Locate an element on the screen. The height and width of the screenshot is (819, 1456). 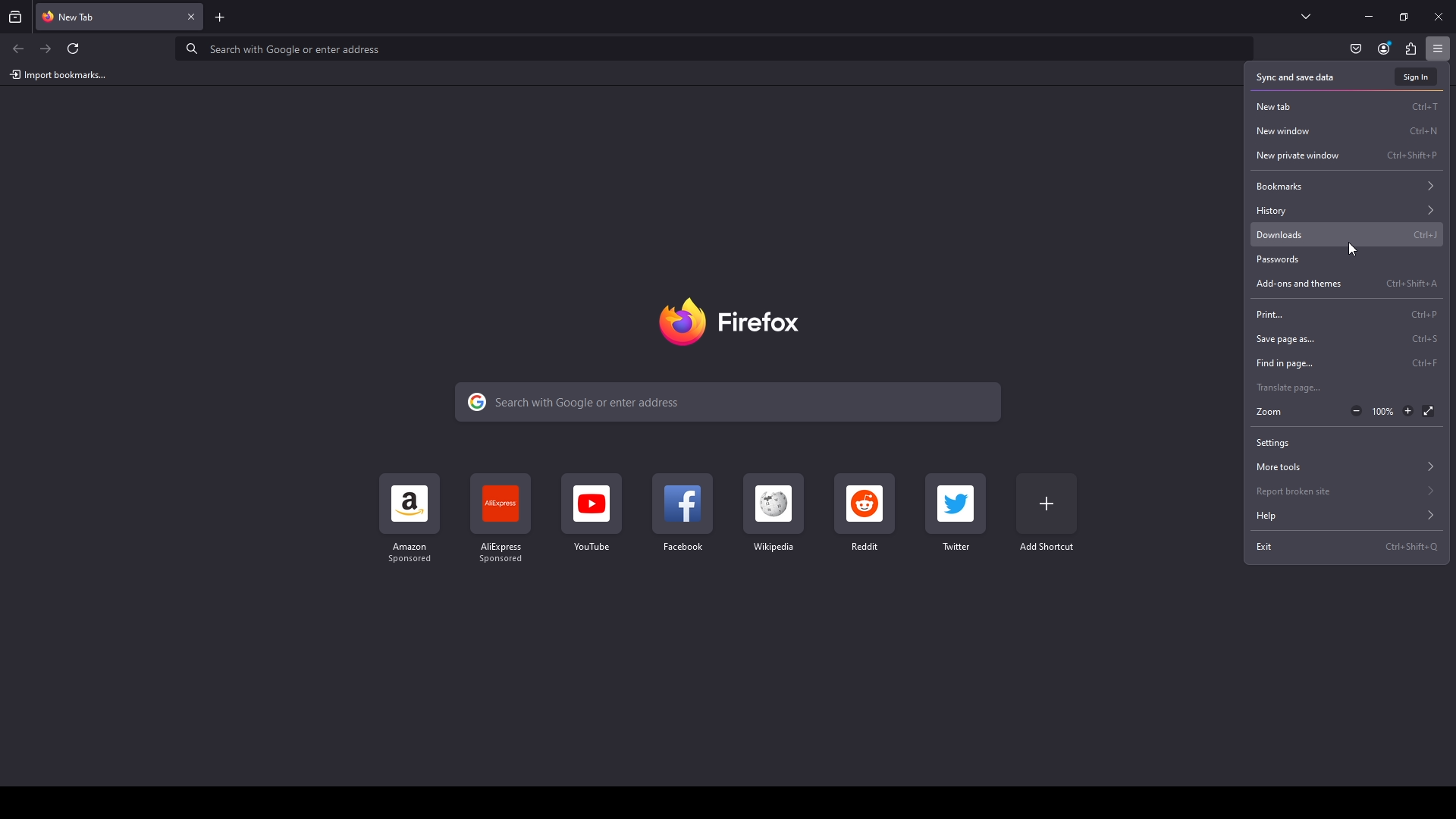
Facebook is located at coordinates (681, 514).